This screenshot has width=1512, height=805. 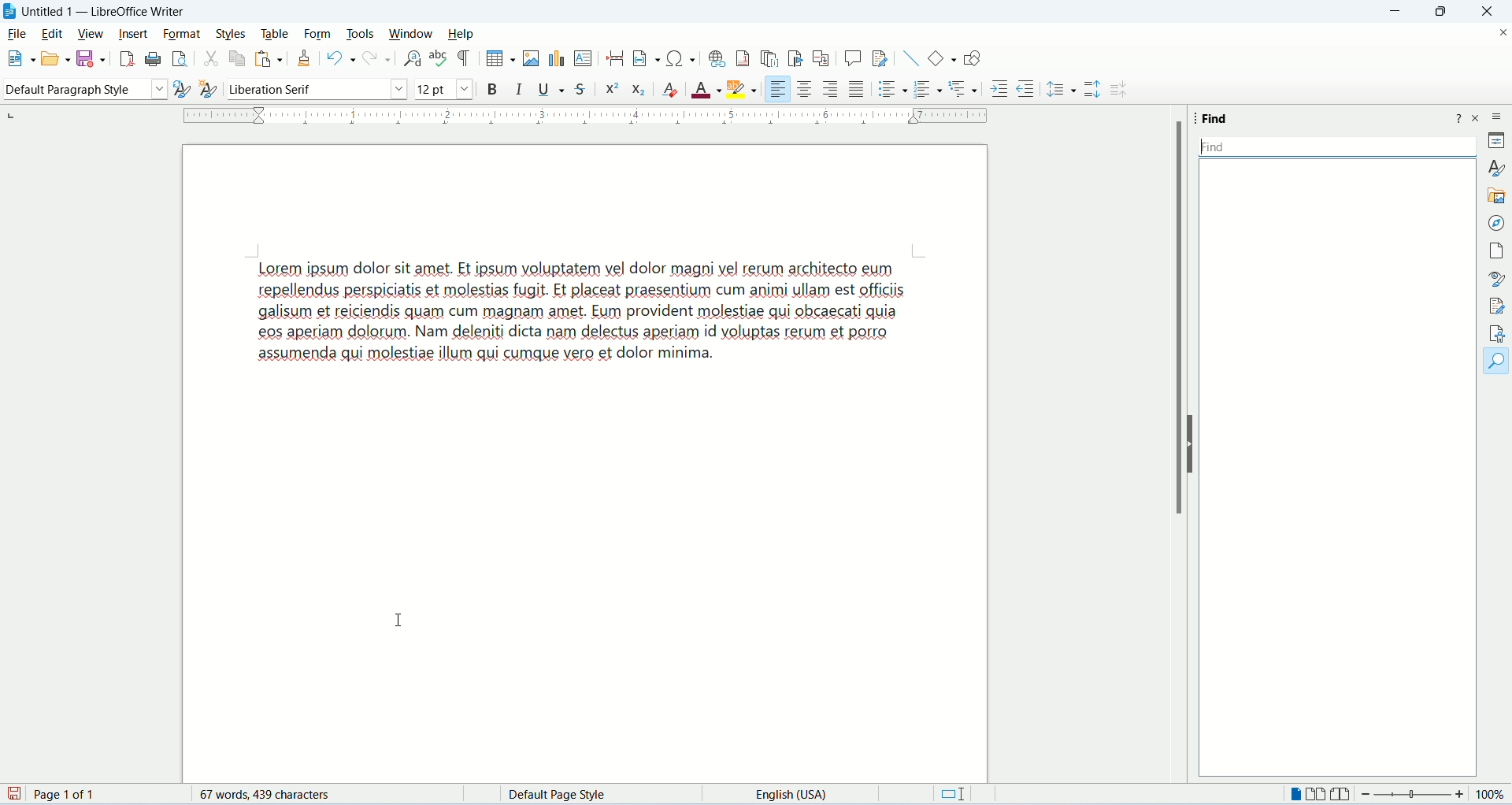 What do you see at coordinates (1025, 88) in the screenshot?
I see `decrease indent` at bounding box center [1025, 88].